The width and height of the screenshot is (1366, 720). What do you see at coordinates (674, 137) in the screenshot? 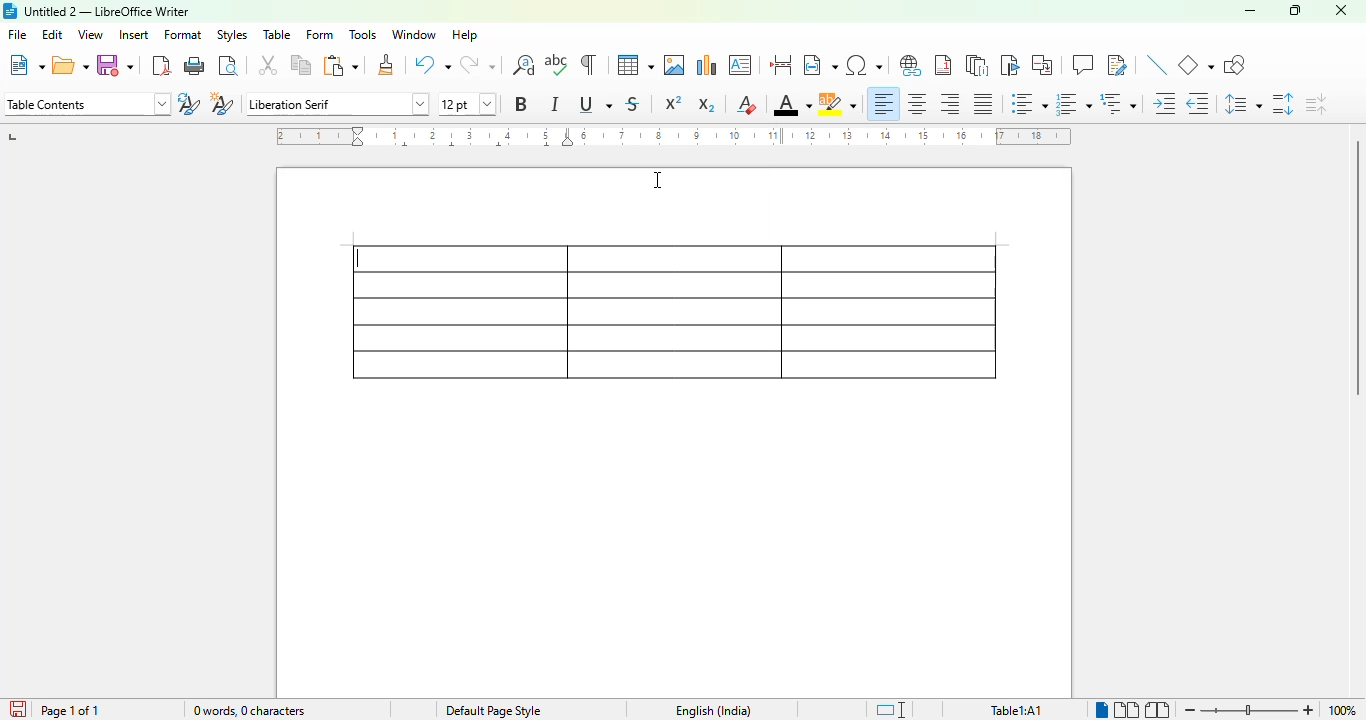
I see `ruler` at bounding box center [674, 137].